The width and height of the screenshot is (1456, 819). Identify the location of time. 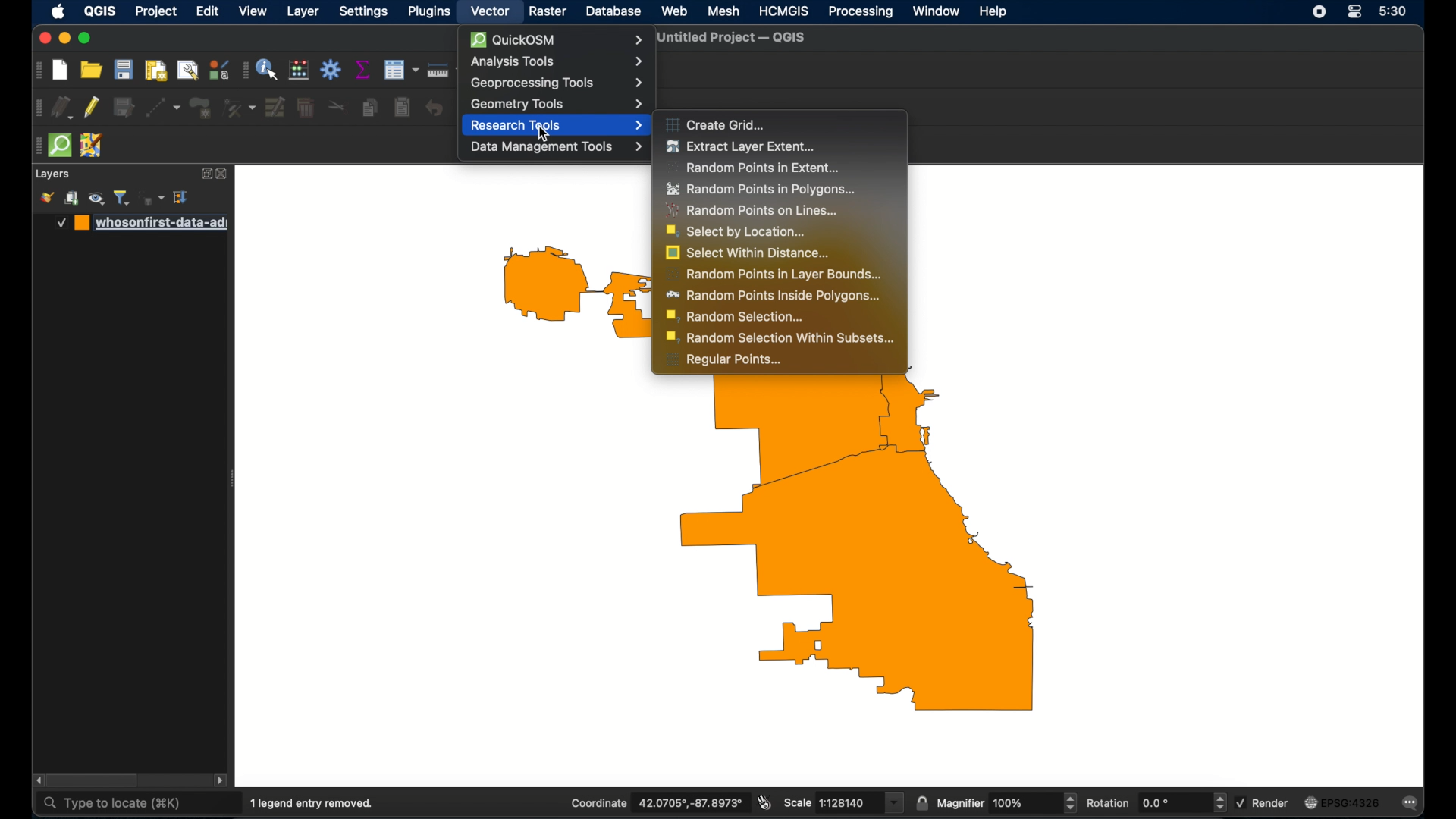
(1393, 11).